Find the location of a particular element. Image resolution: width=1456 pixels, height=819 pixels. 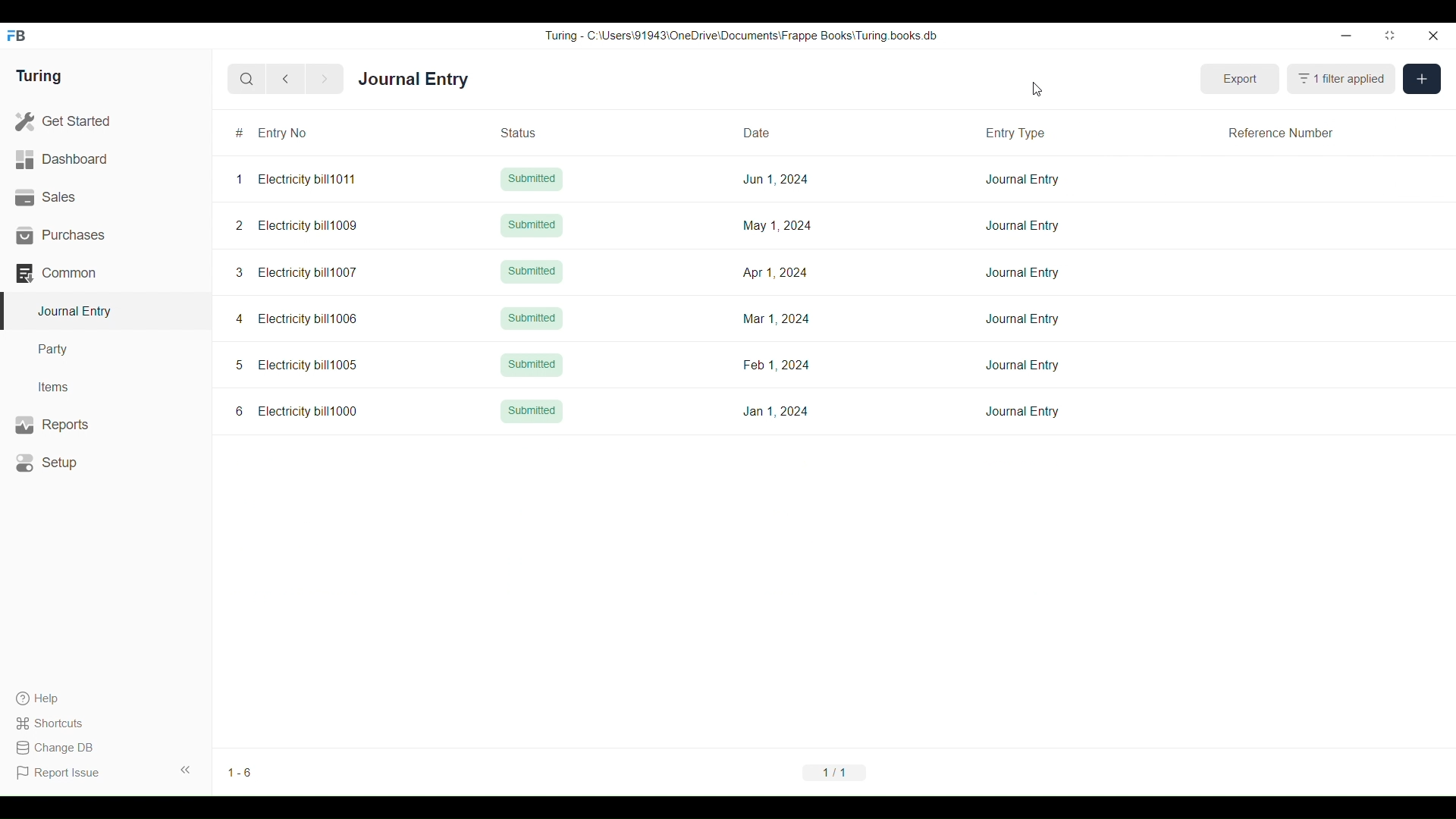

Next is located at coordinates (325, 80).